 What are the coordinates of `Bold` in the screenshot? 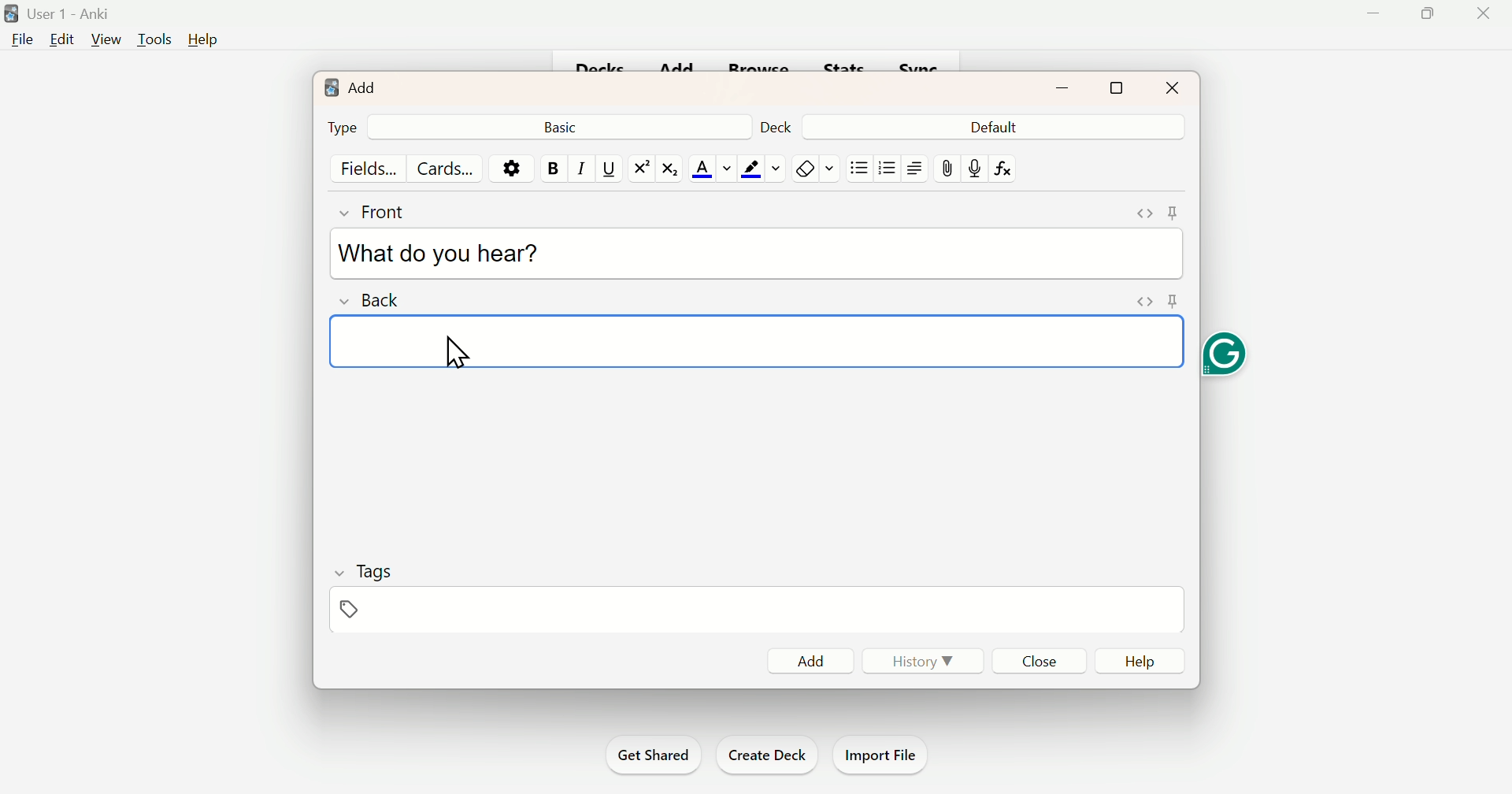 It's located at (549, 169).